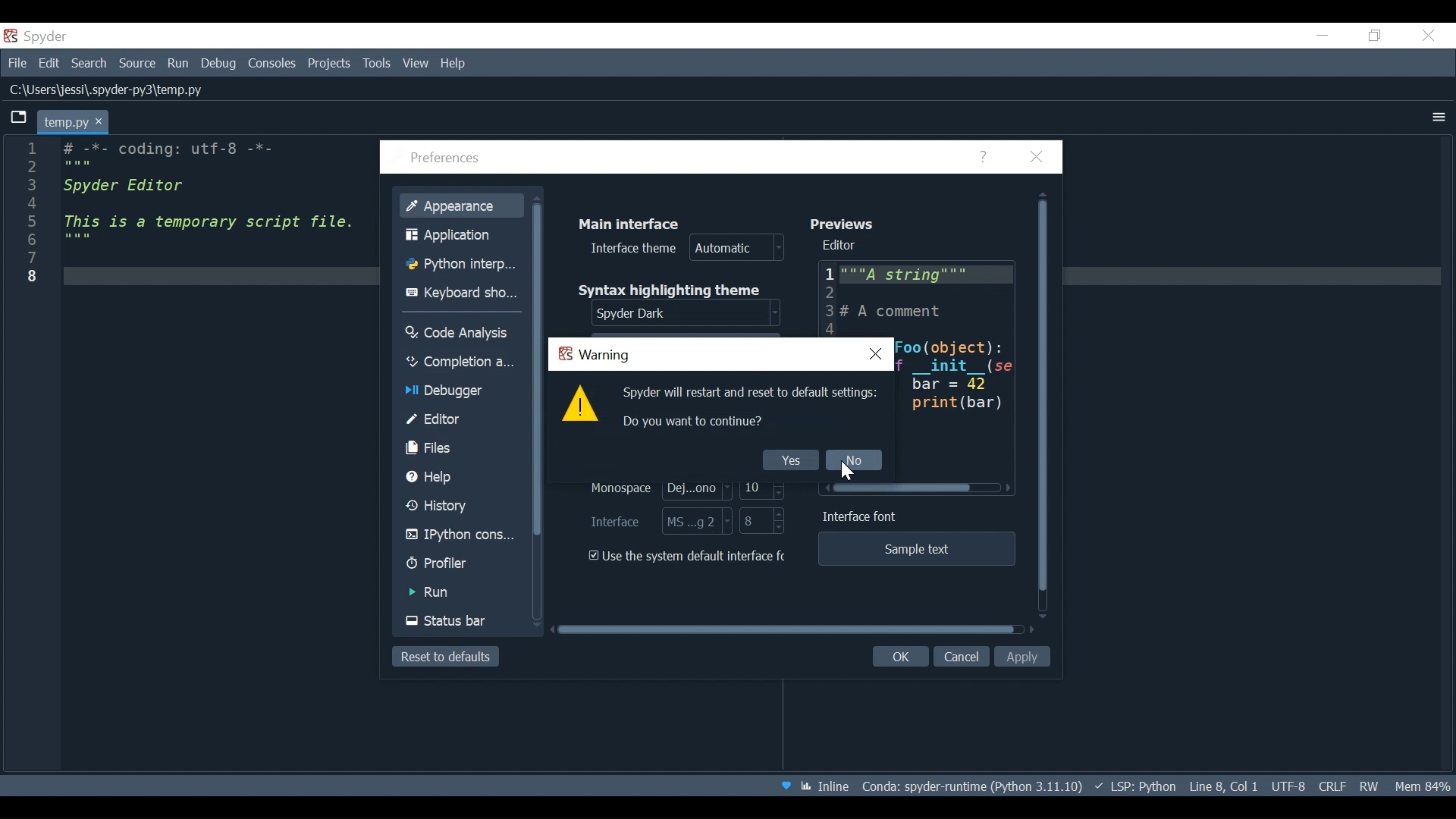 Image resolution: width=1456 pixels, height=819 pixels. Describe the element at coordinates (661, 521) in the screenshot. I see `Select Interface Font` at that location.